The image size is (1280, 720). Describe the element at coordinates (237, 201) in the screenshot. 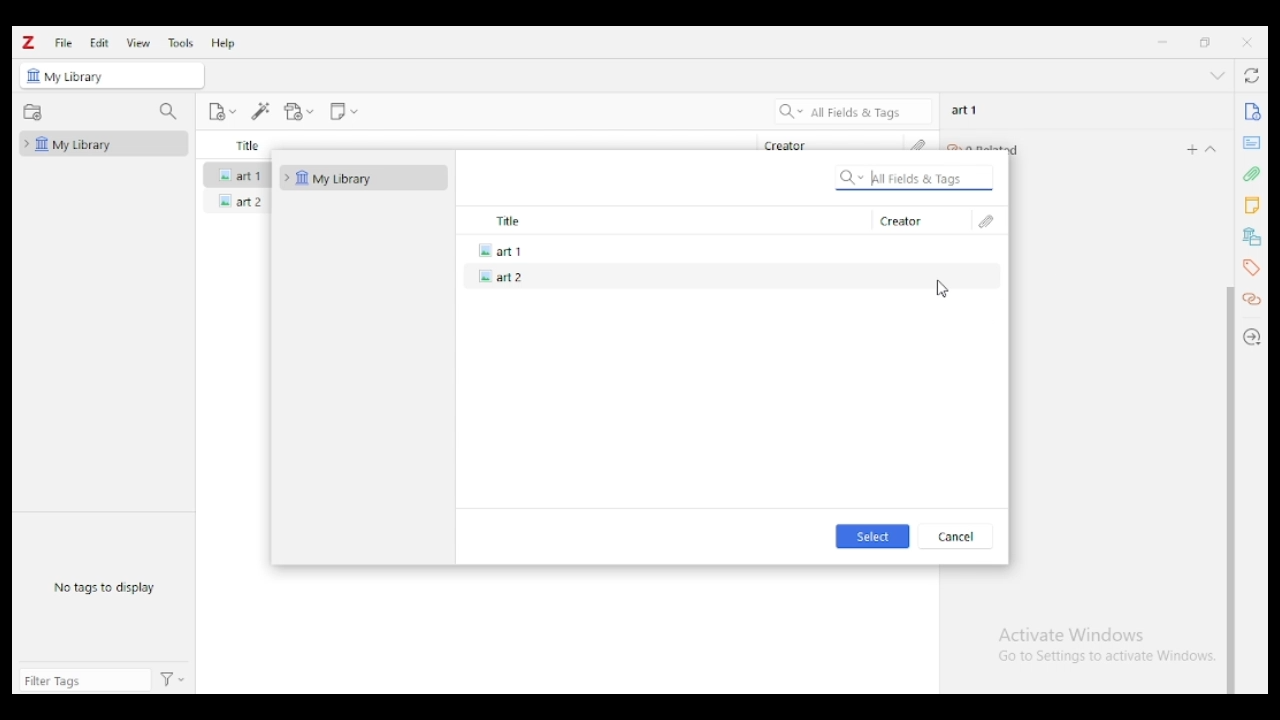

I see `art 2` at that location.